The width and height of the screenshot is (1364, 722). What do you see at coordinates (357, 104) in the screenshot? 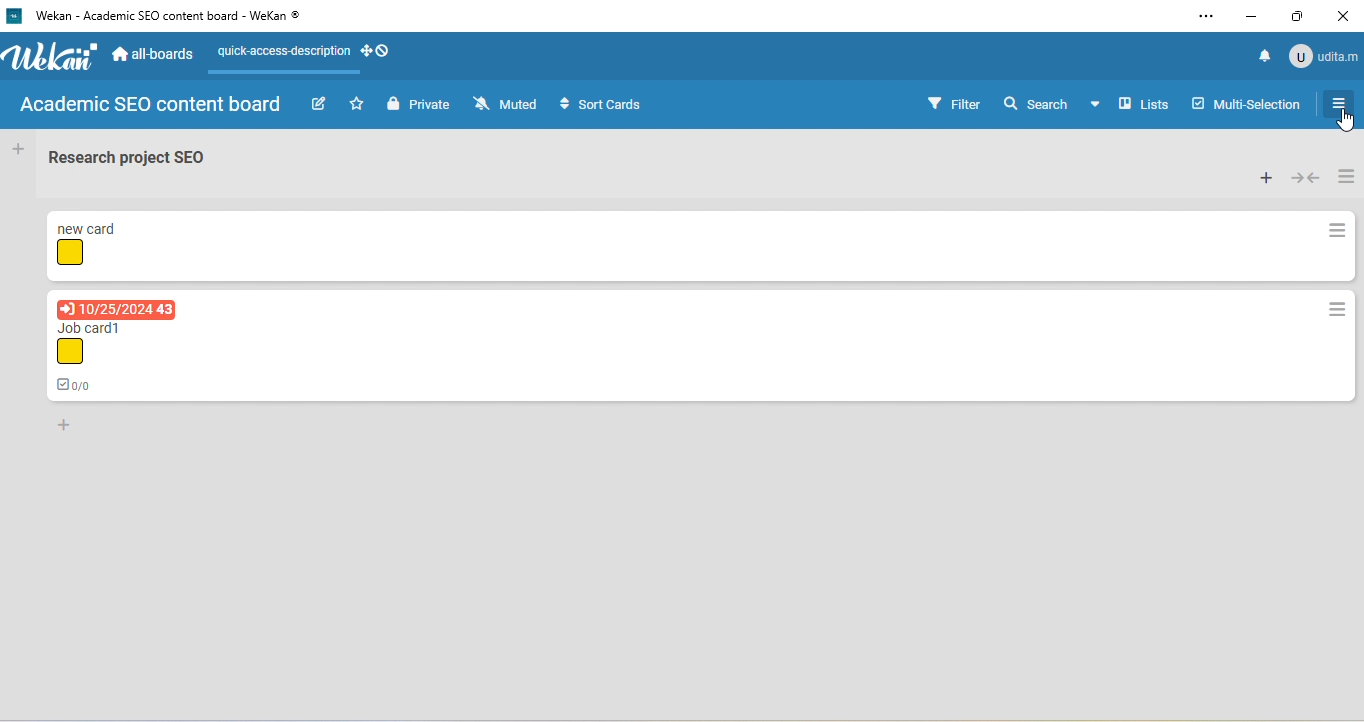
I see `star this board` at bounding box center [357, 104].